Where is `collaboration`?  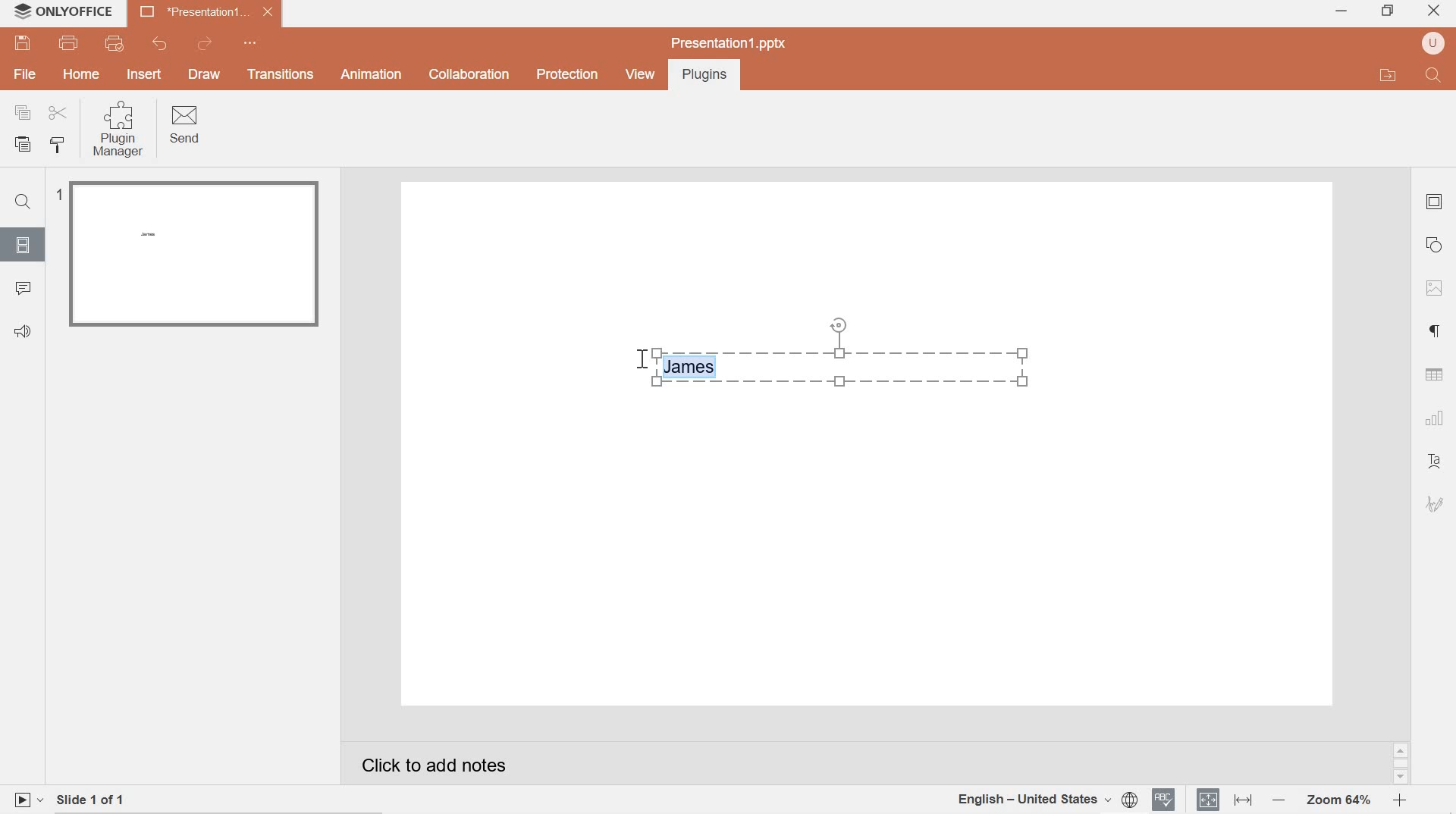
collaboration is located at coordinates (467, 75).